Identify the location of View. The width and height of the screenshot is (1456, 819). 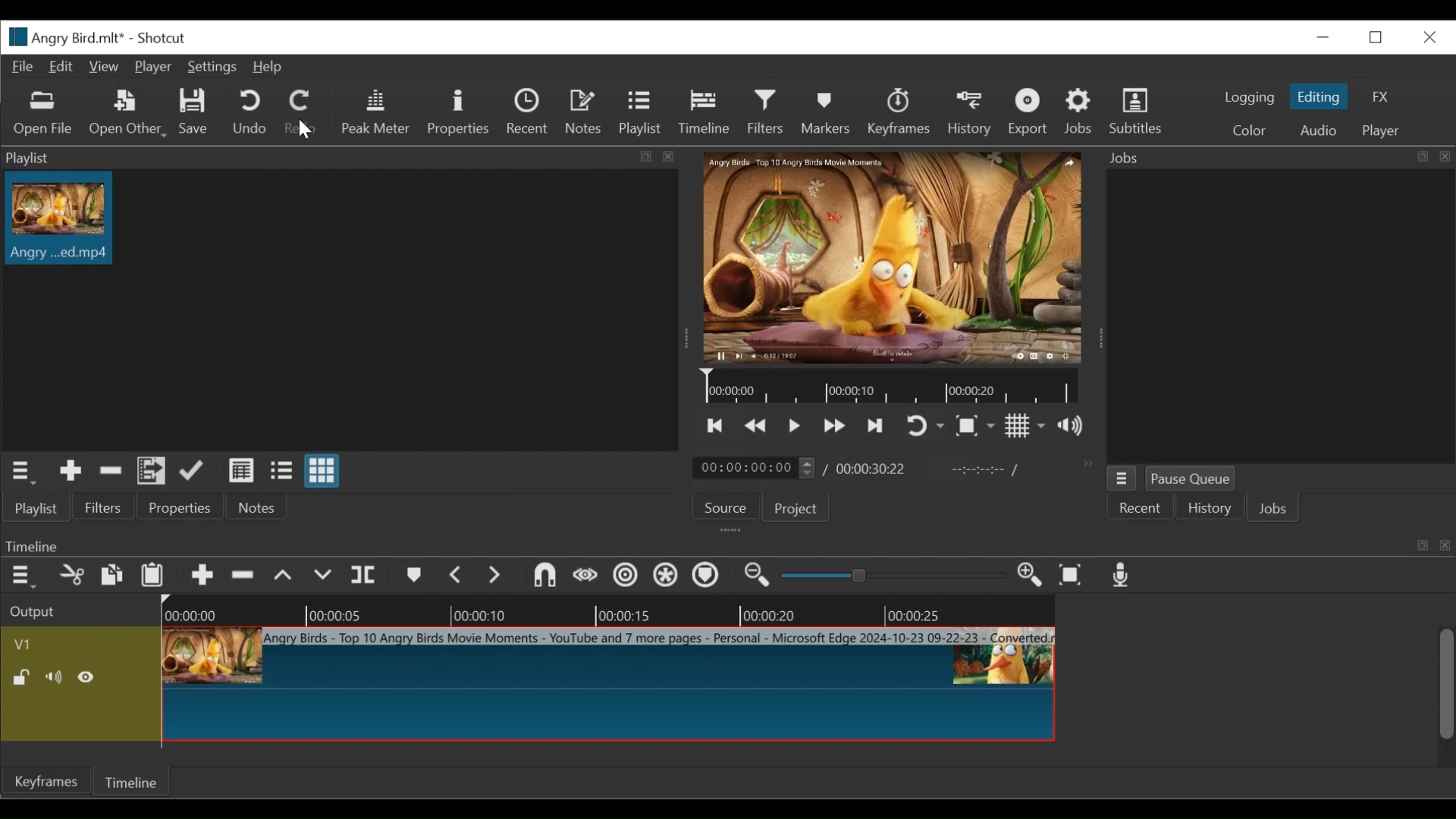
(102, 67).